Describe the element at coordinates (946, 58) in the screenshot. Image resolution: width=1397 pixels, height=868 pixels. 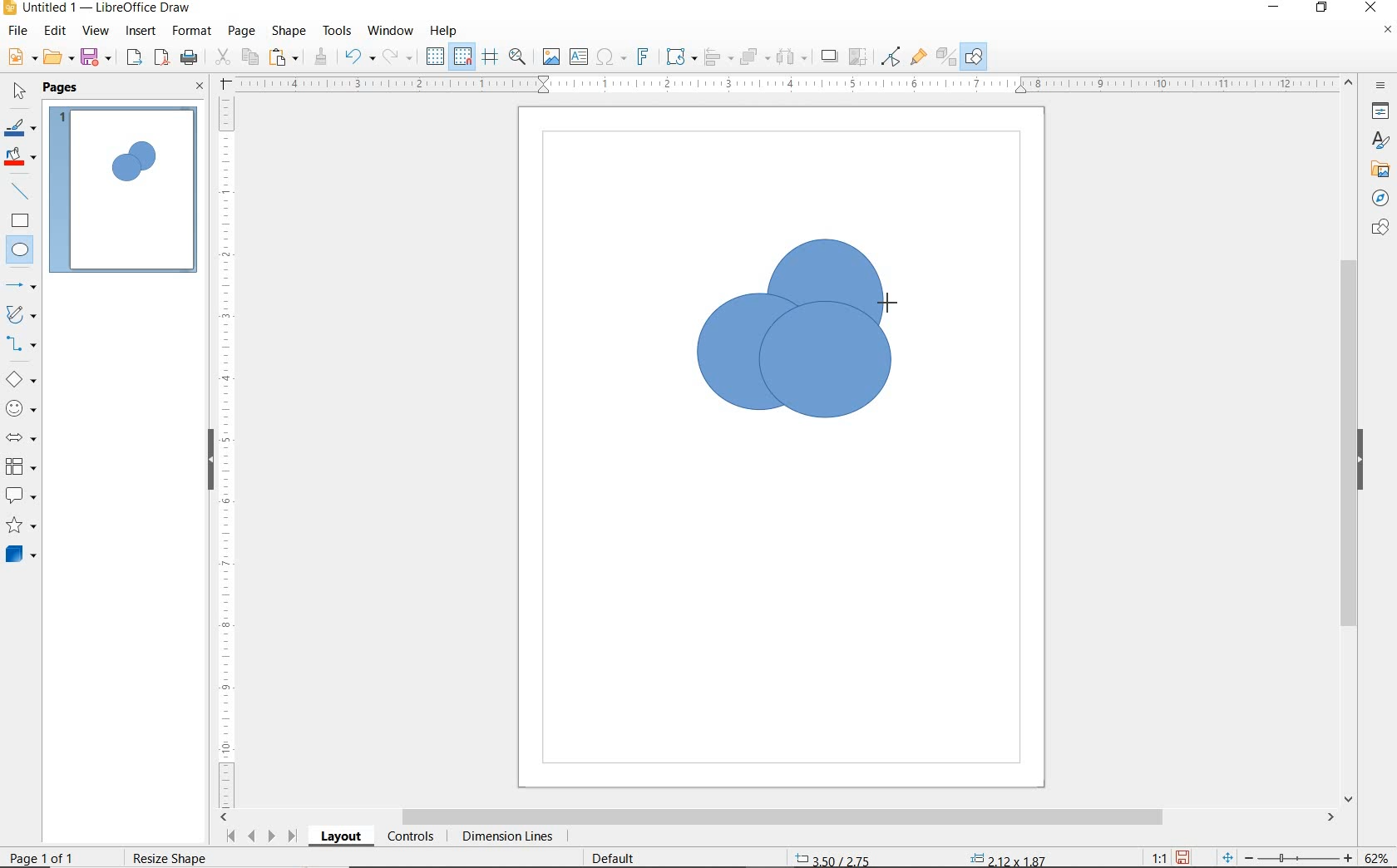
I see `TOGGLE EXTRUSION` at that location.